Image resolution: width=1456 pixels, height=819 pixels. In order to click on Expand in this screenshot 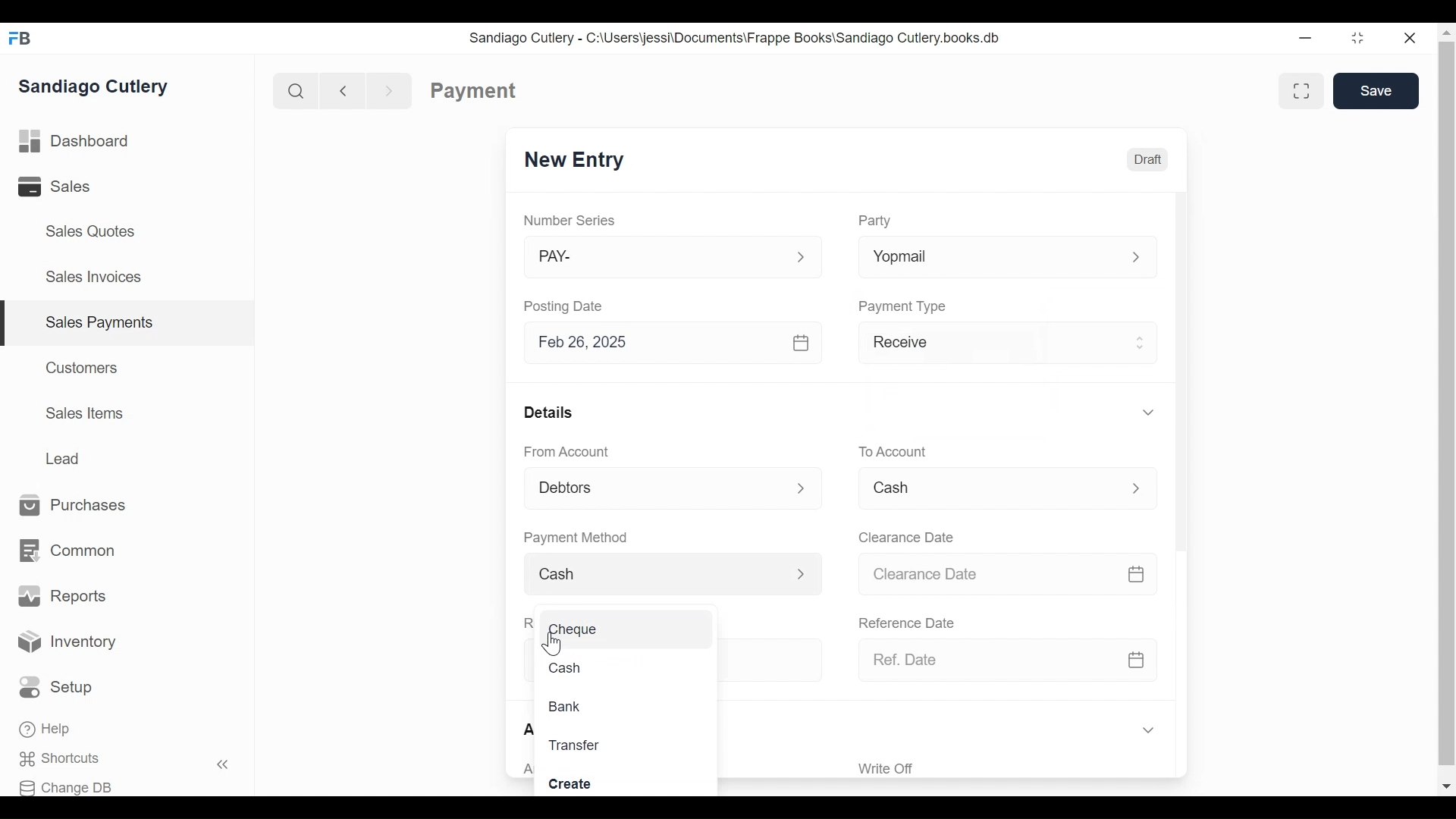, I will do `click(1151, 731)`.